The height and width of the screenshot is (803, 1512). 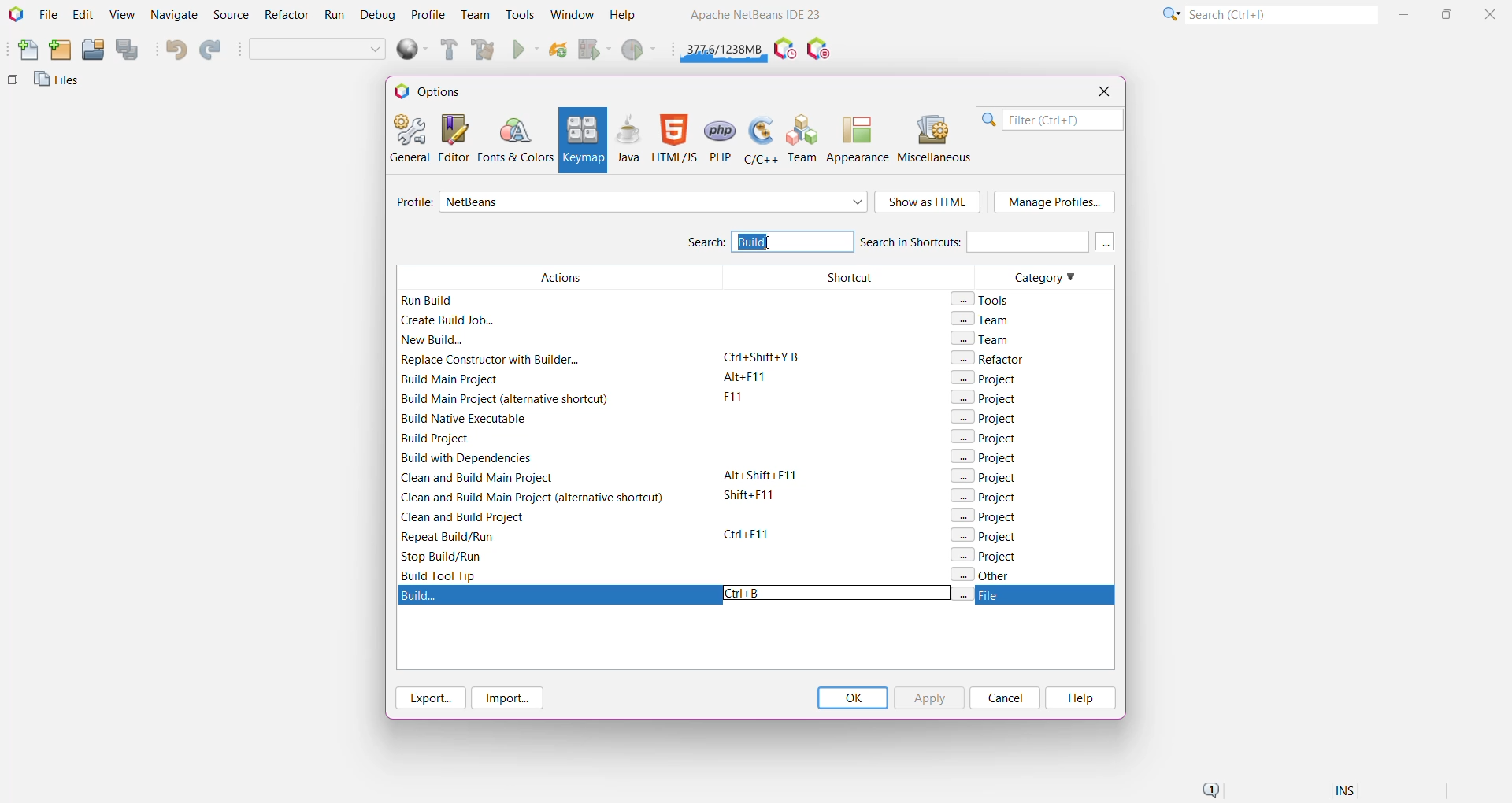 I want to click on Editor, so click(x=450, y=138).